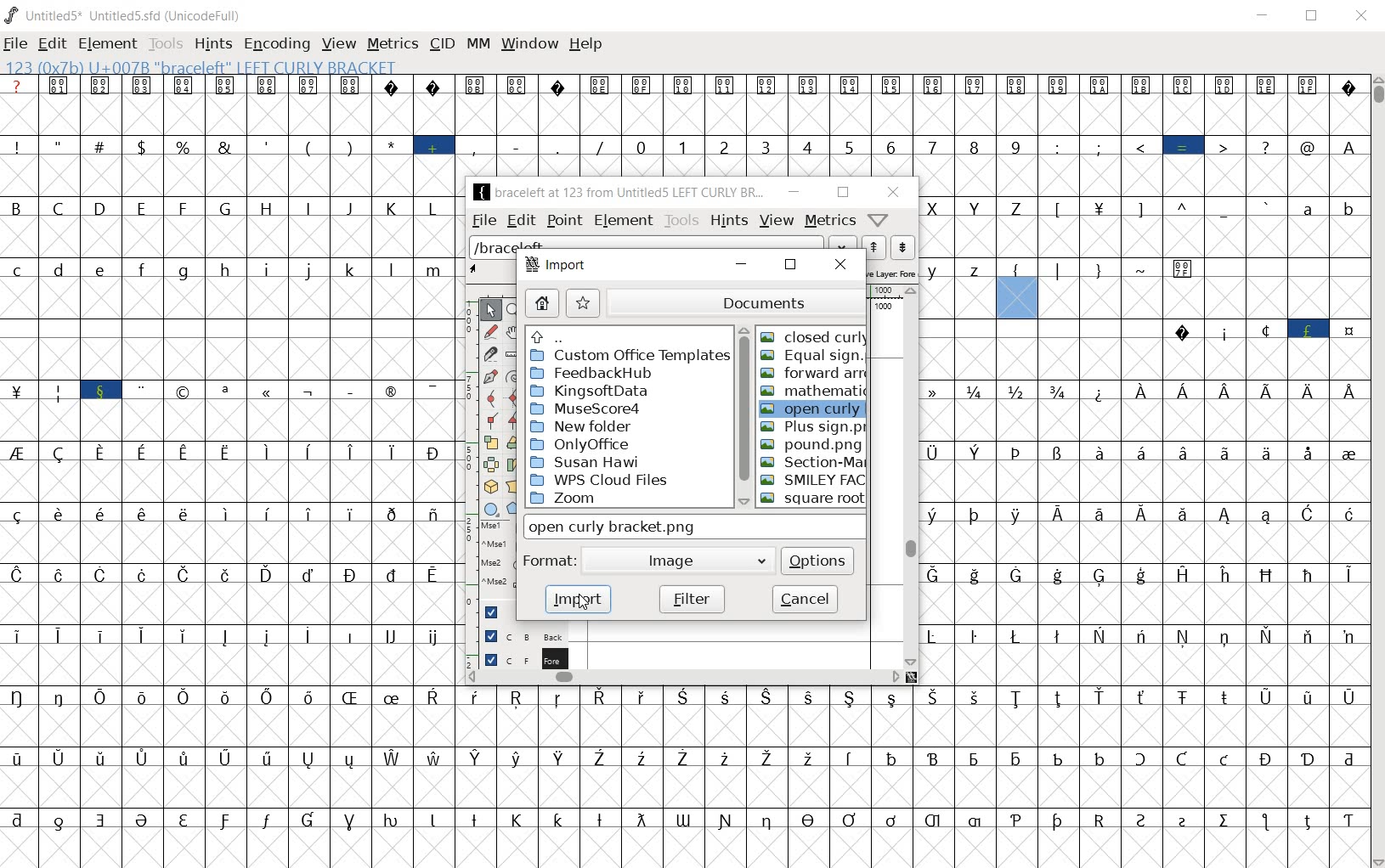 This screenshot has width=1385, height=868. Describe the element at coordinates (392, 43) in the screenshot. I see `metrics` at that location.